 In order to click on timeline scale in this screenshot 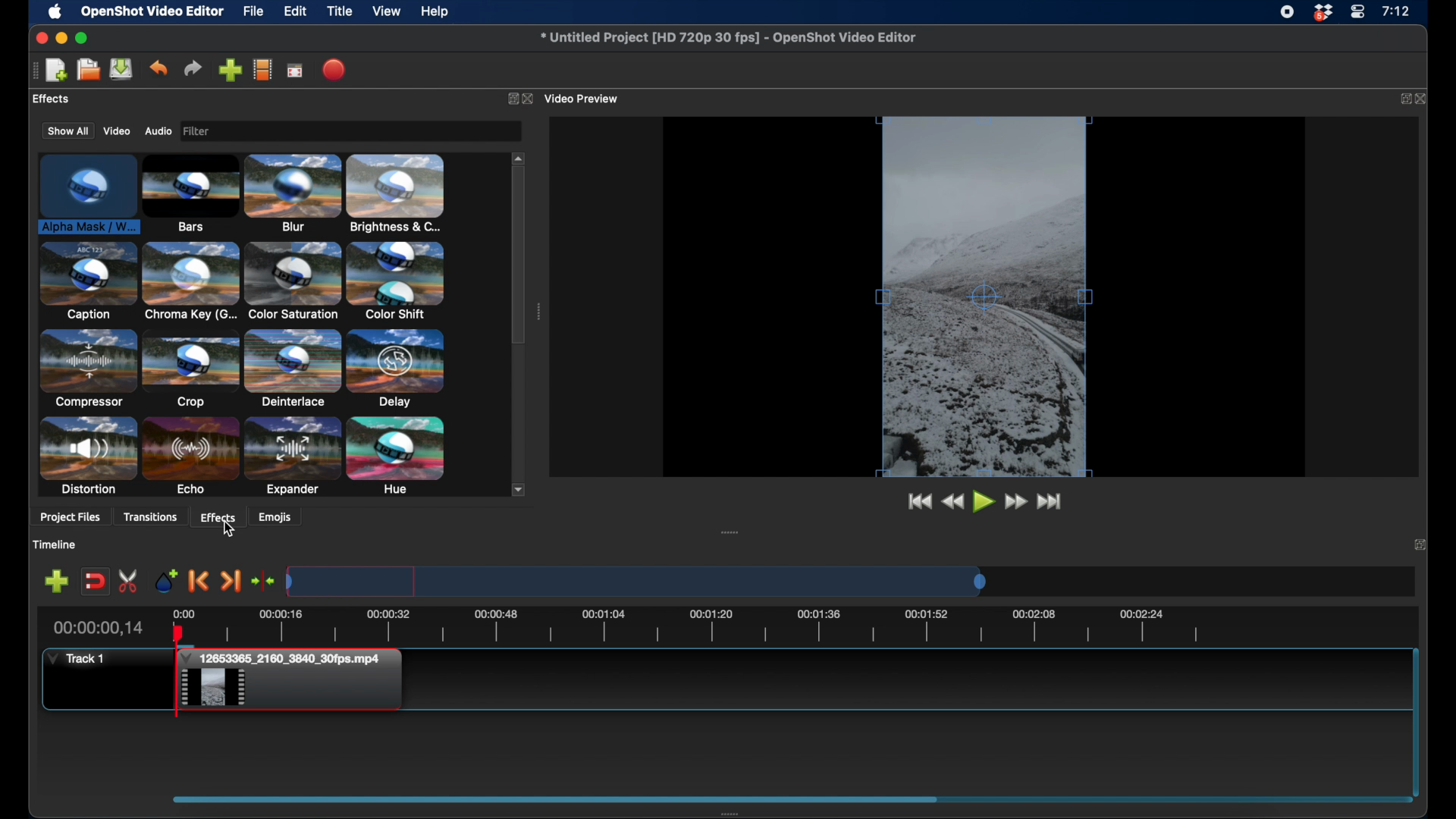, I will do `click(637, 581)`.